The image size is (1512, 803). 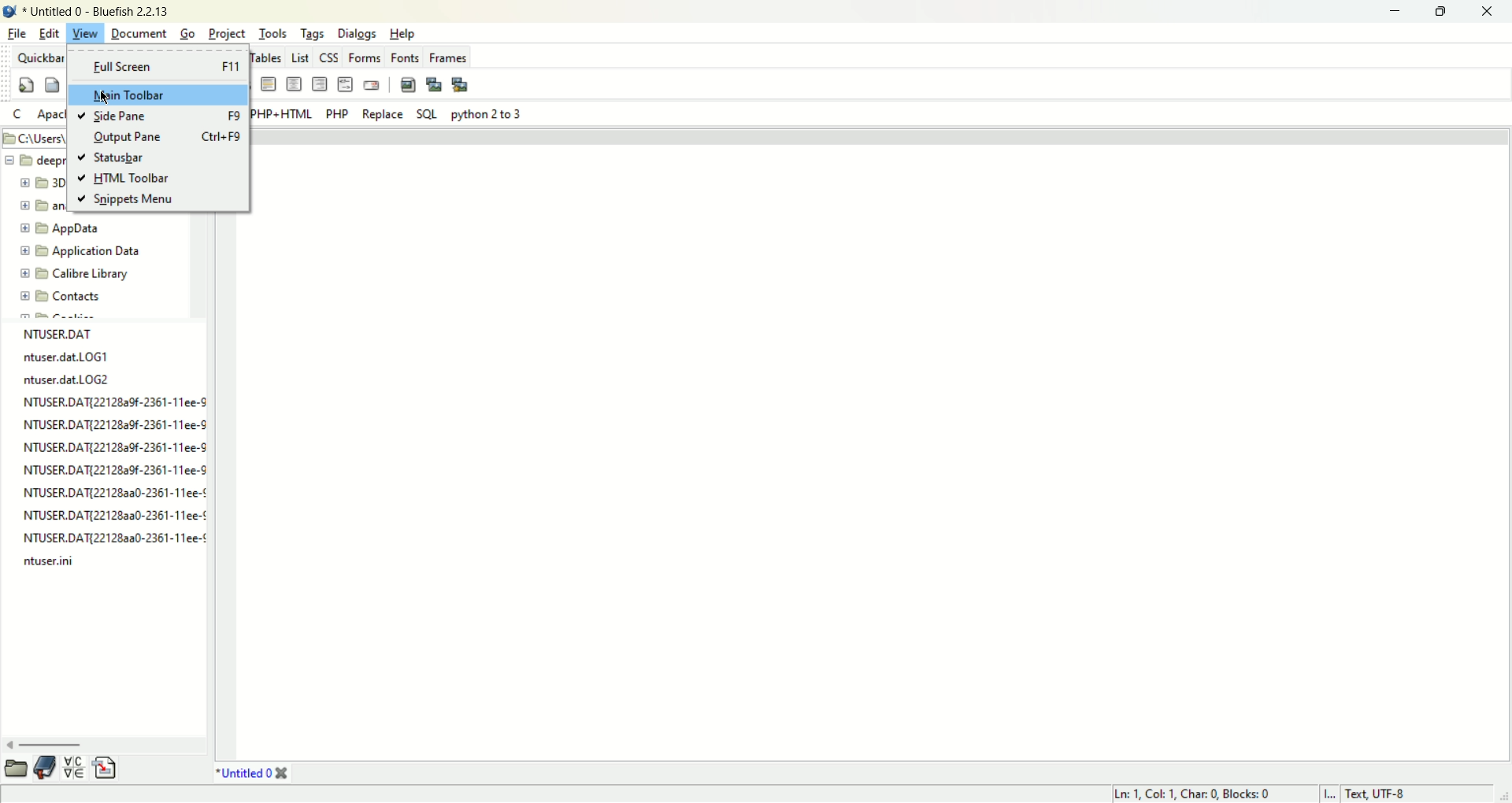 What do you see at coordinates (1381, 794) in the screenshot?
I see `text, UTF-8` at bounding box center [1381, 794].